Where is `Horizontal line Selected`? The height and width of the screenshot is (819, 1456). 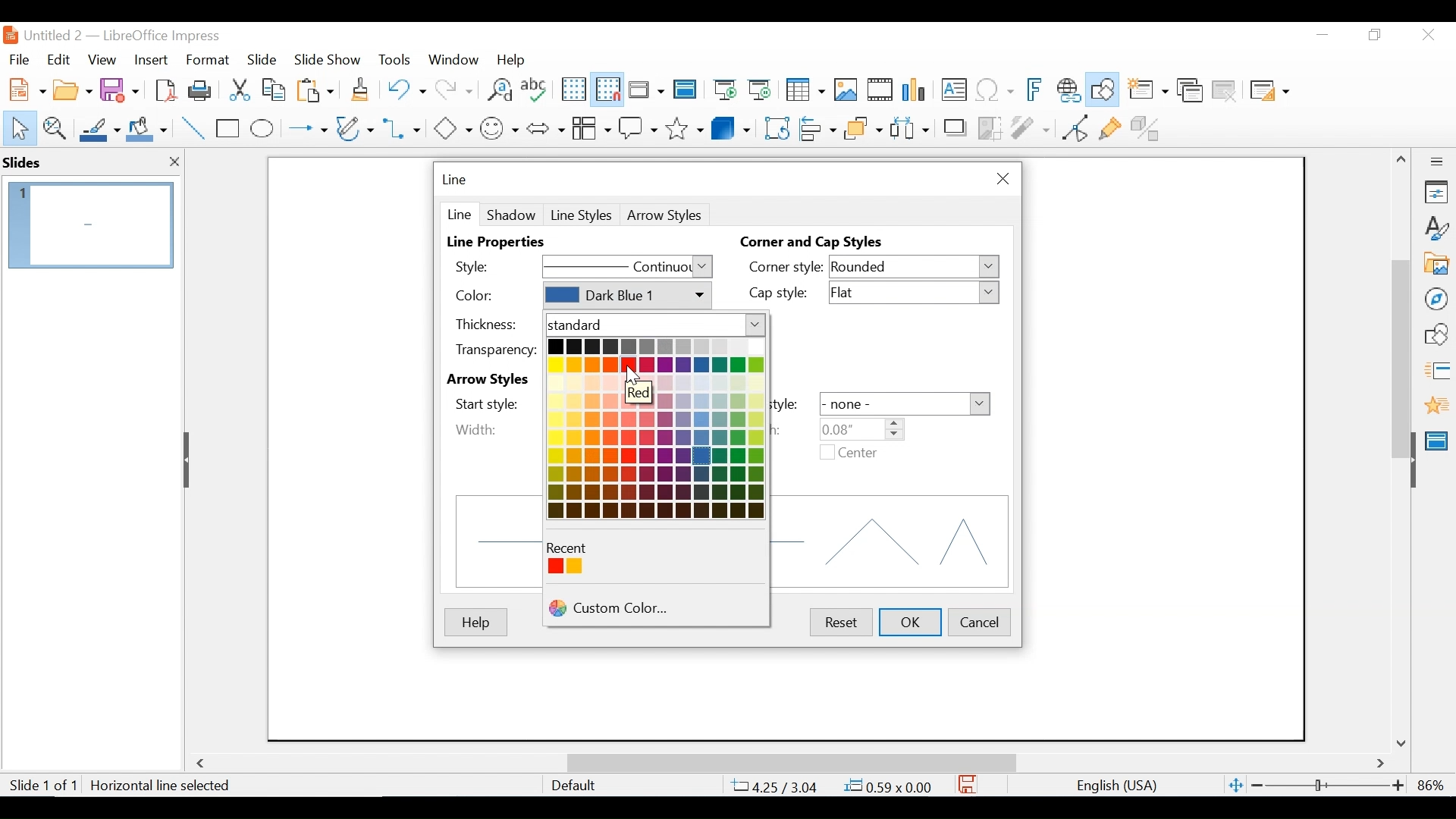 Horizontal line Selected is located at coordinates (162, 786).